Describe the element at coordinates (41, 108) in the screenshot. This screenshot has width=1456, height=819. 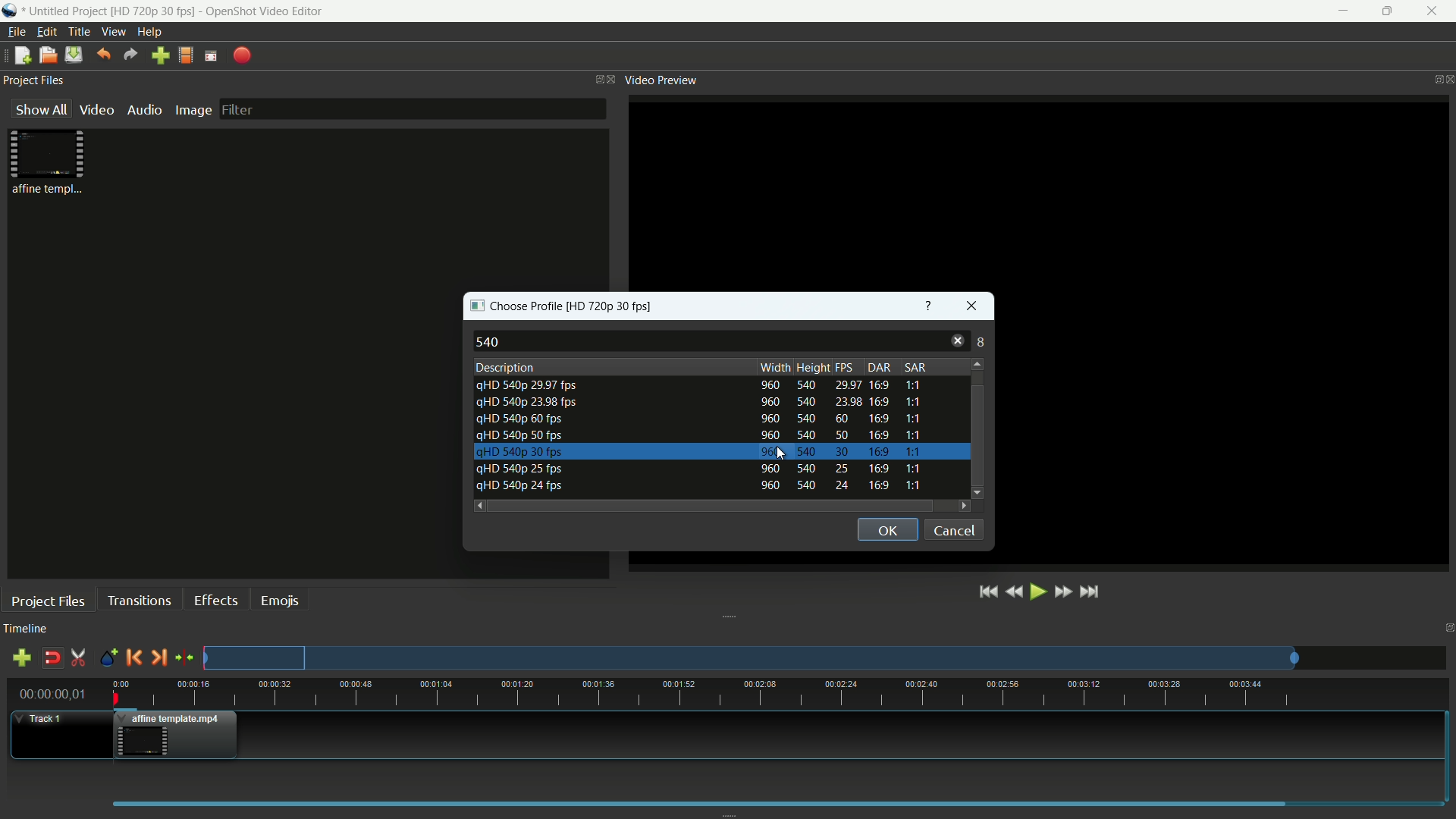
I see `show all` at that location.